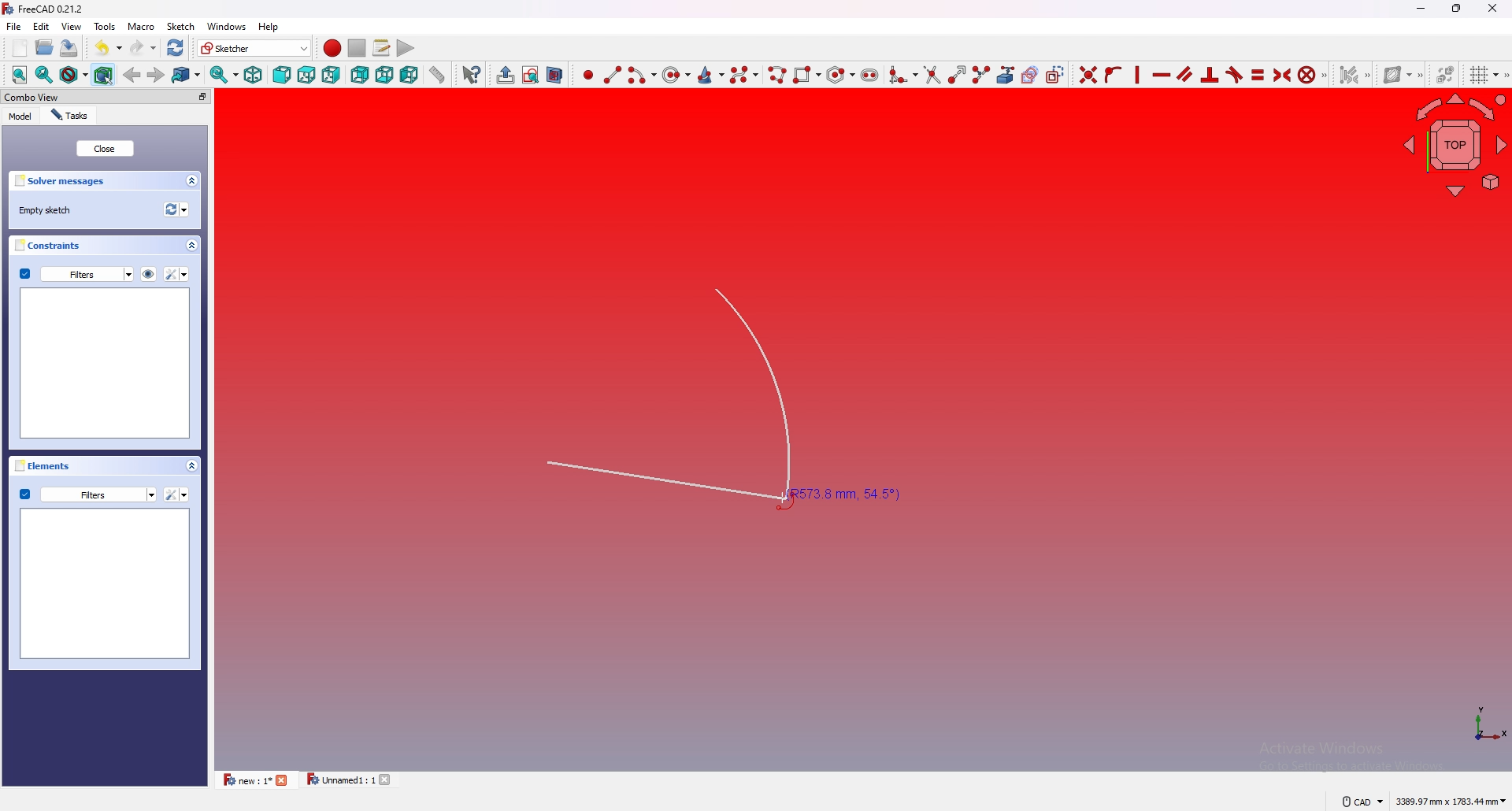 The width and height of the screenshot is (1512, 811). I want to click on Sketch, so click(180, 26).